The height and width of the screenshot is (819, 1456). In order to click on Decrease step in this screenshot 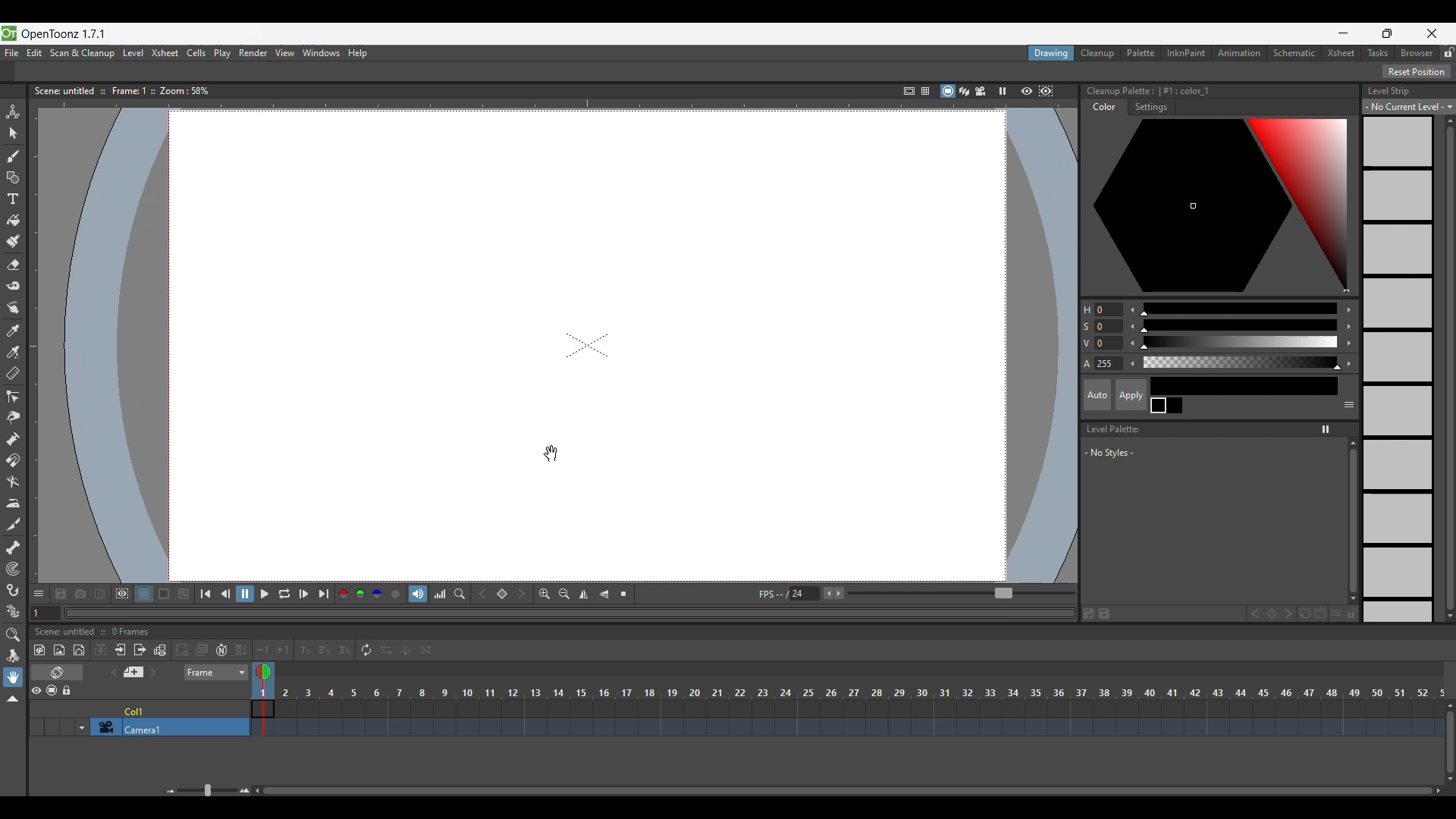, I will do `click(262, 650)`.